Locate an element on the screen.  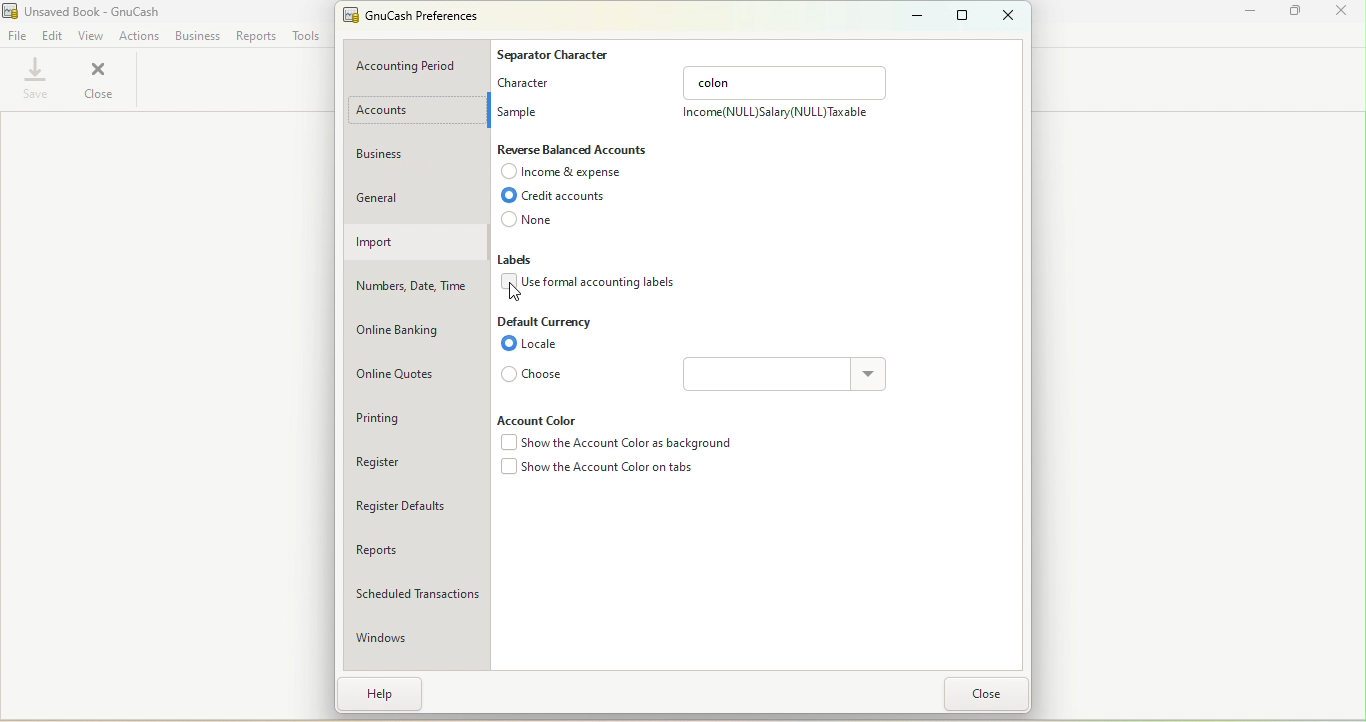
Cursor is located at coordinates (520, 291).